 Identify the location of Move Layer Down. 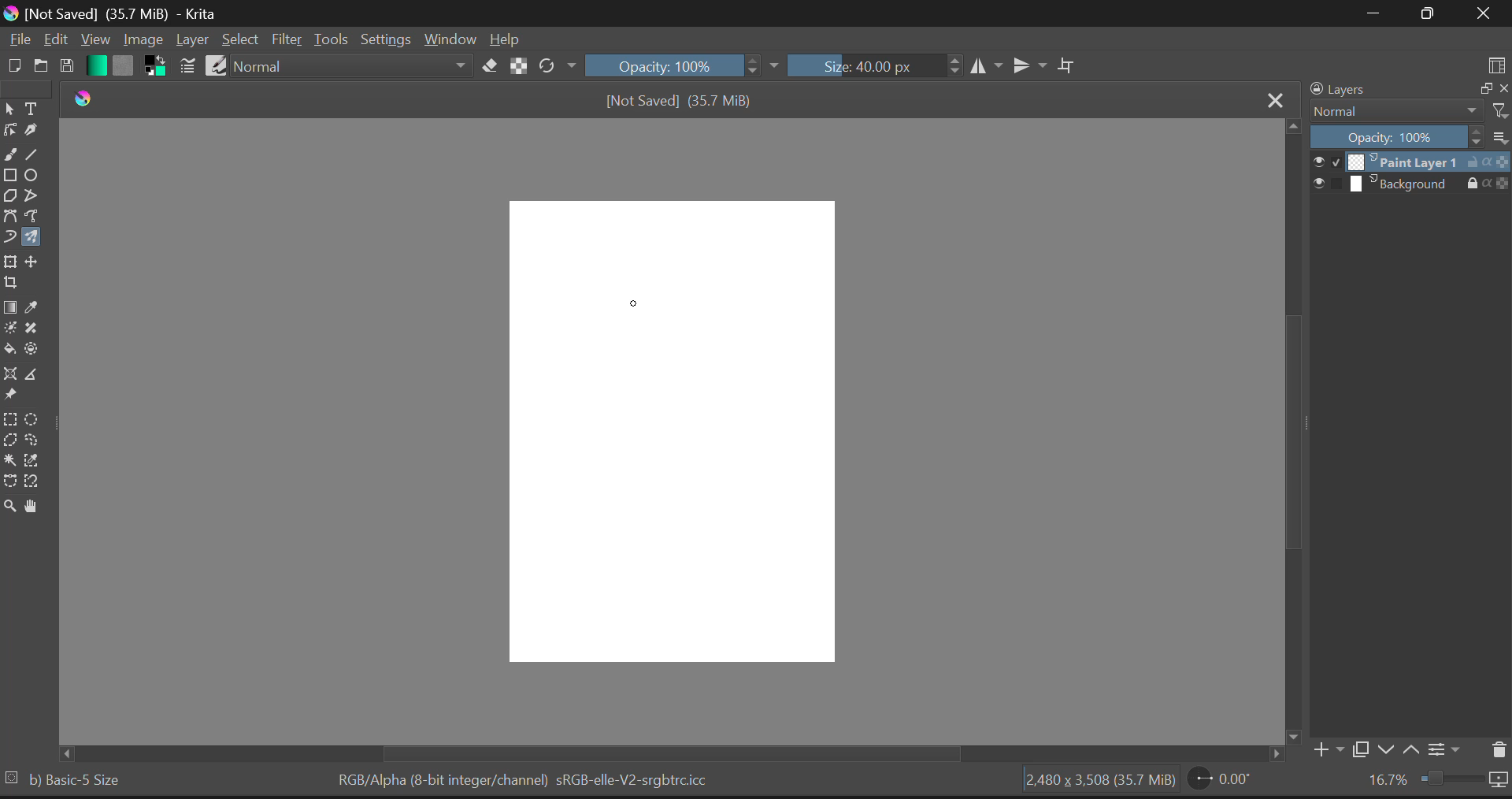
(1389, 750).